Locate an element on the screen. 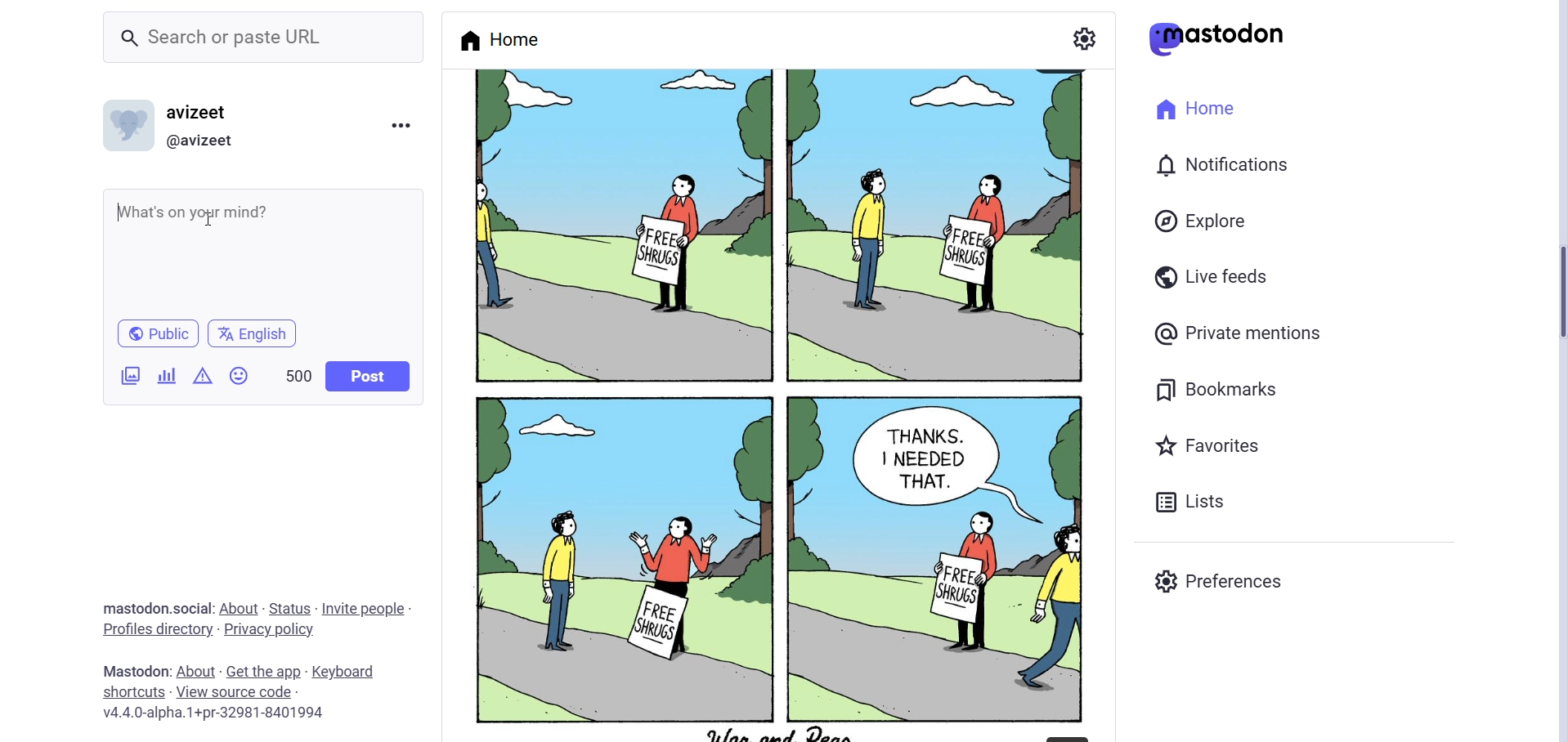 The image size is (1568, 742). Invite People is located at coordinates (369, 610).